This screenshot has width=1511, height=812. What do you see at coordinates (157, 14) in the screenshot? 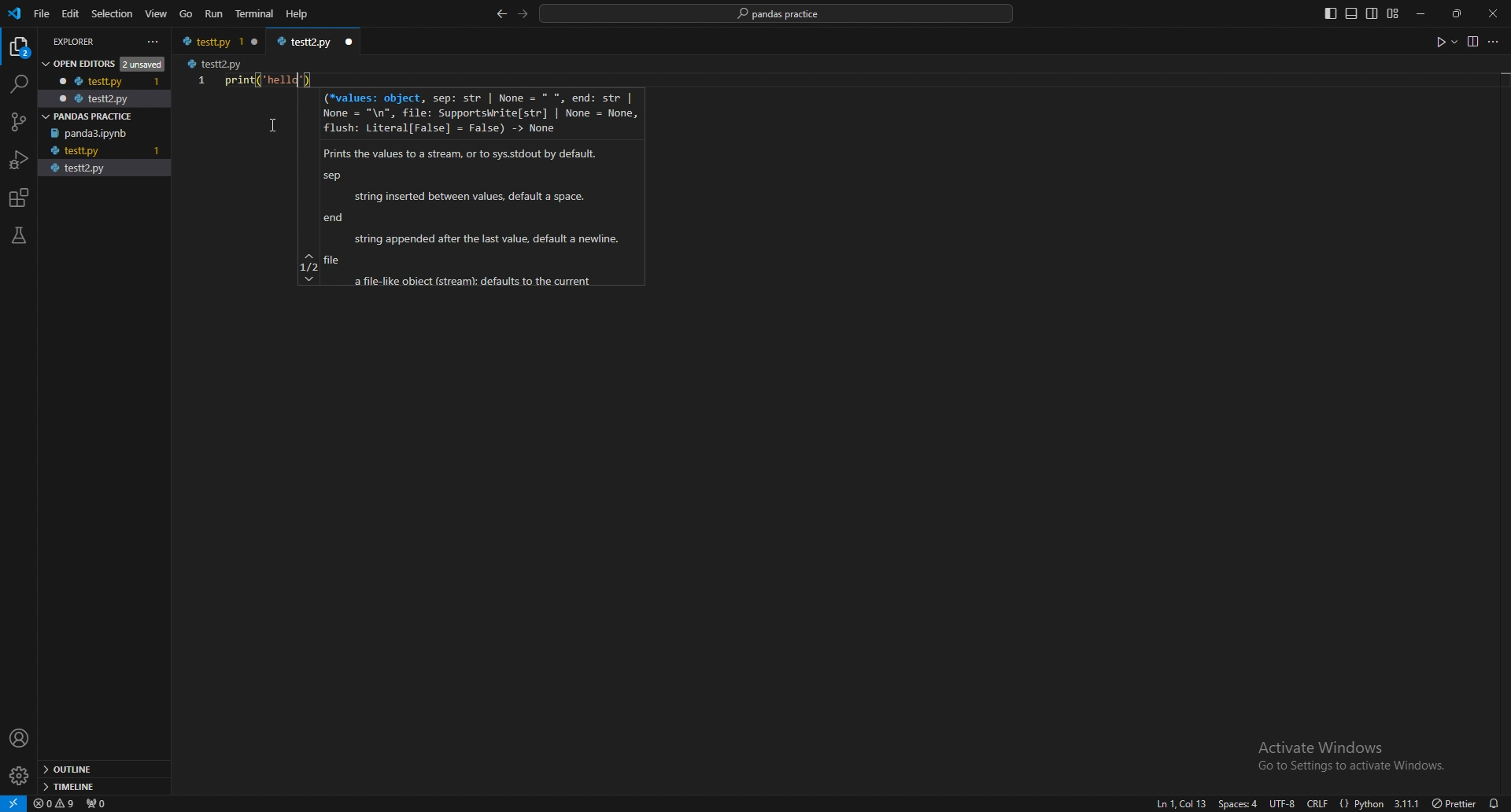
I see `view` at bounding box center [157, 14].